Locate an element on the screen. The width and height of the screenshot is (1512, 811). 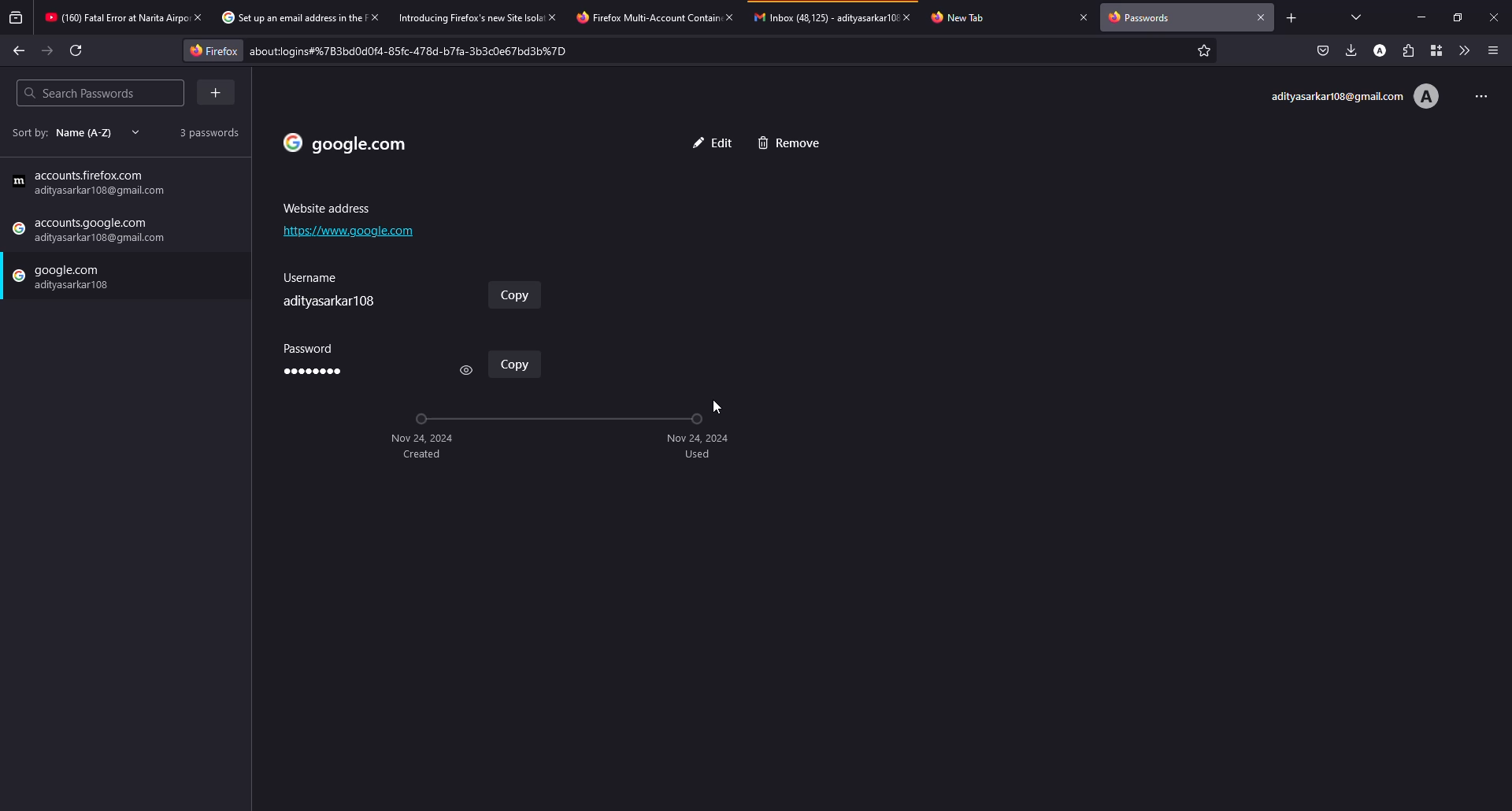
maximize is located at coordinates (1454, 17).